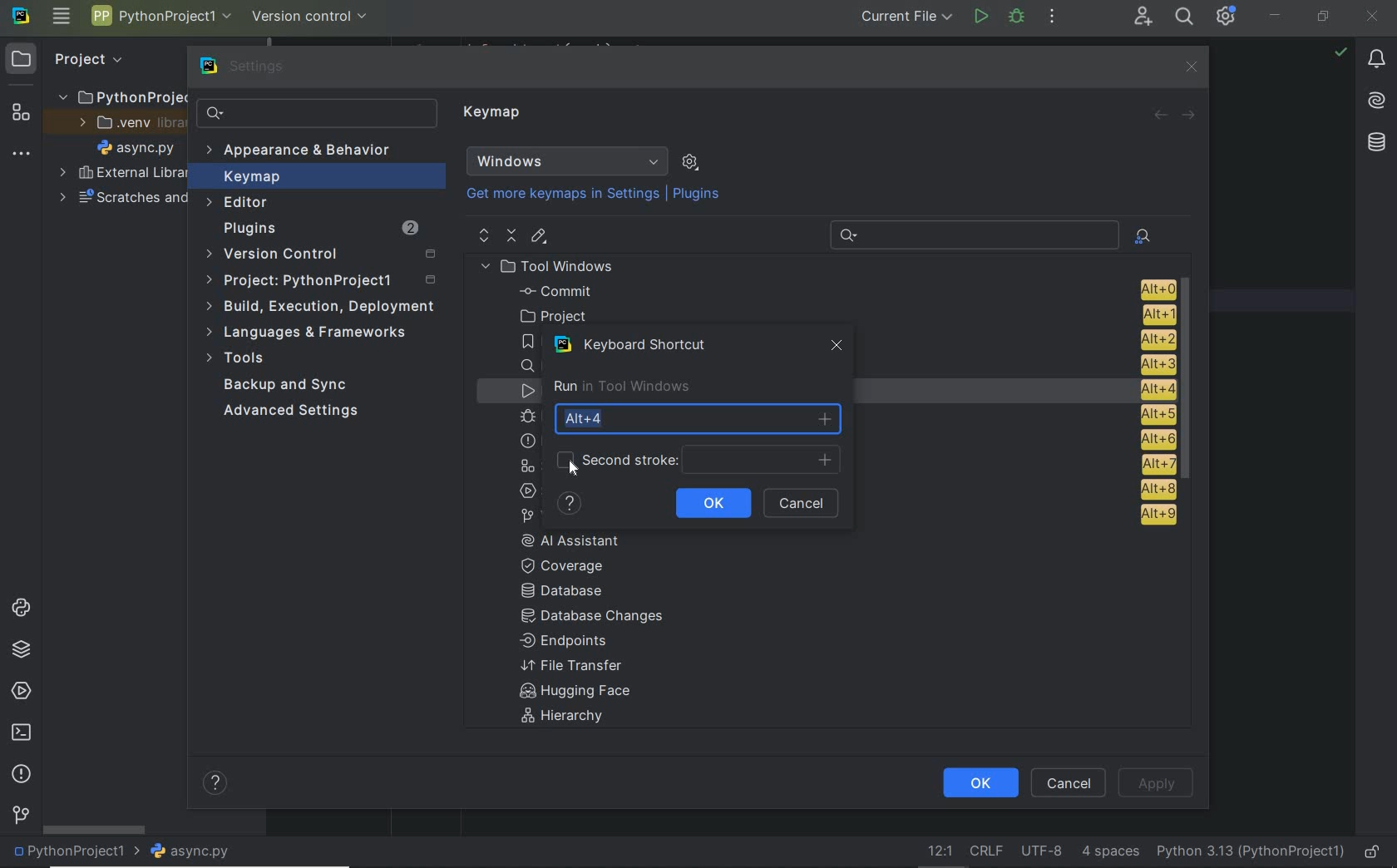 The image size is (1397, 868). Describe the element at coordinates (287, 386) in the screenshot. I see `Backup and Sync` at that location.